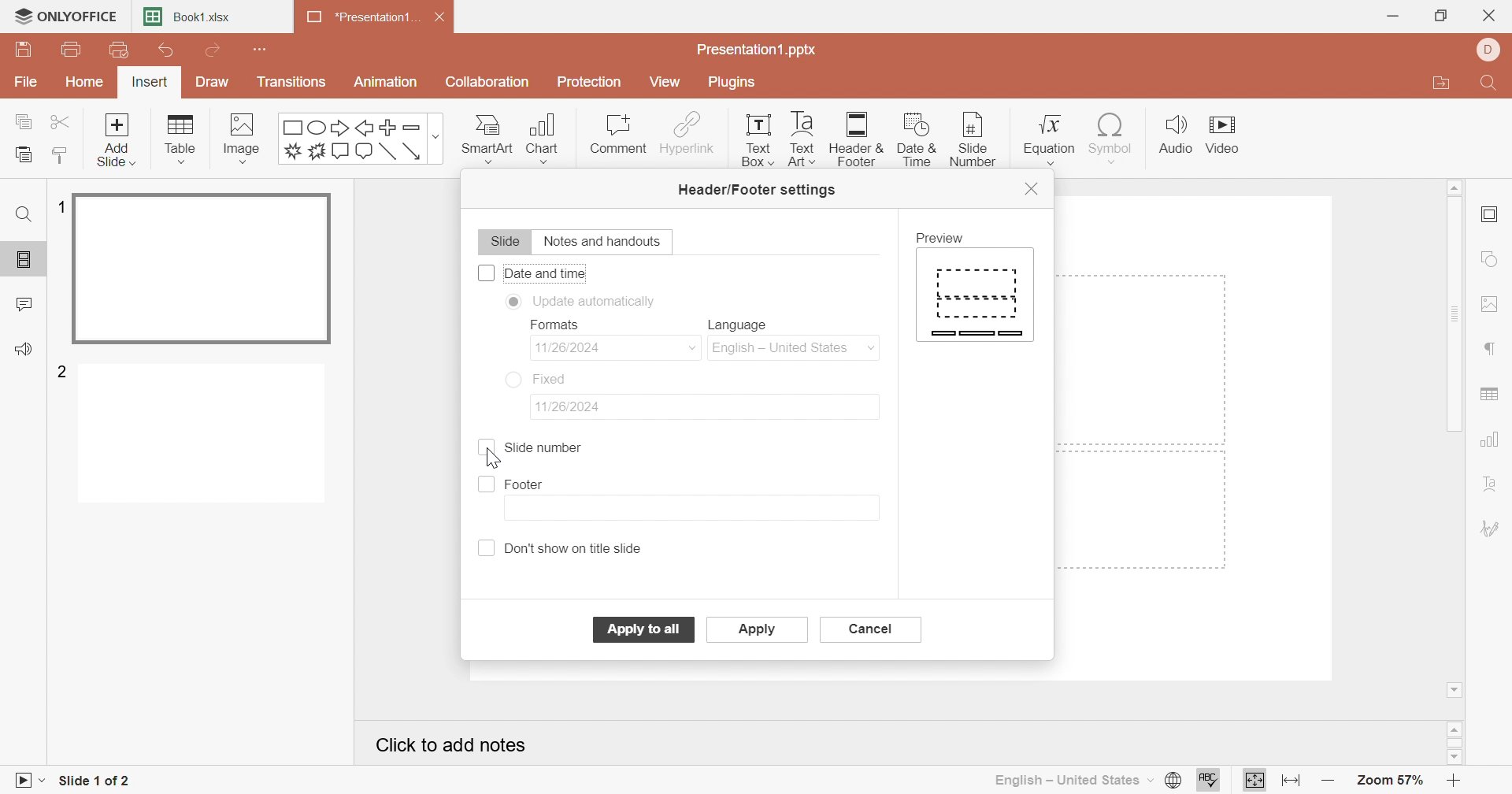 The width and height of the screenshot is (1512, 794). I want to click on Redo, so click(216, 52).